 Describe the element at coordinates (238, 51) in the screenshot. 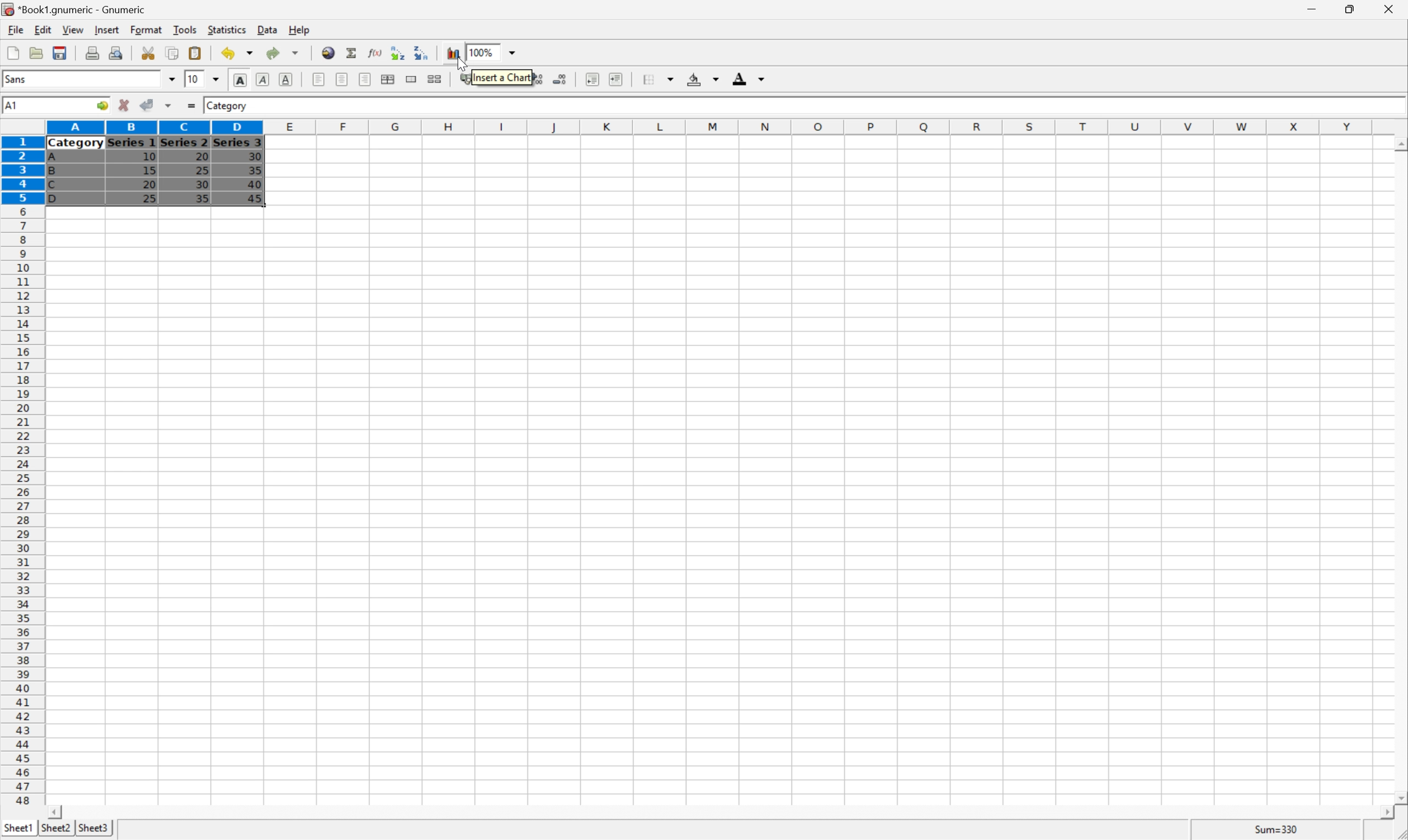

I see `Undo` at that location.